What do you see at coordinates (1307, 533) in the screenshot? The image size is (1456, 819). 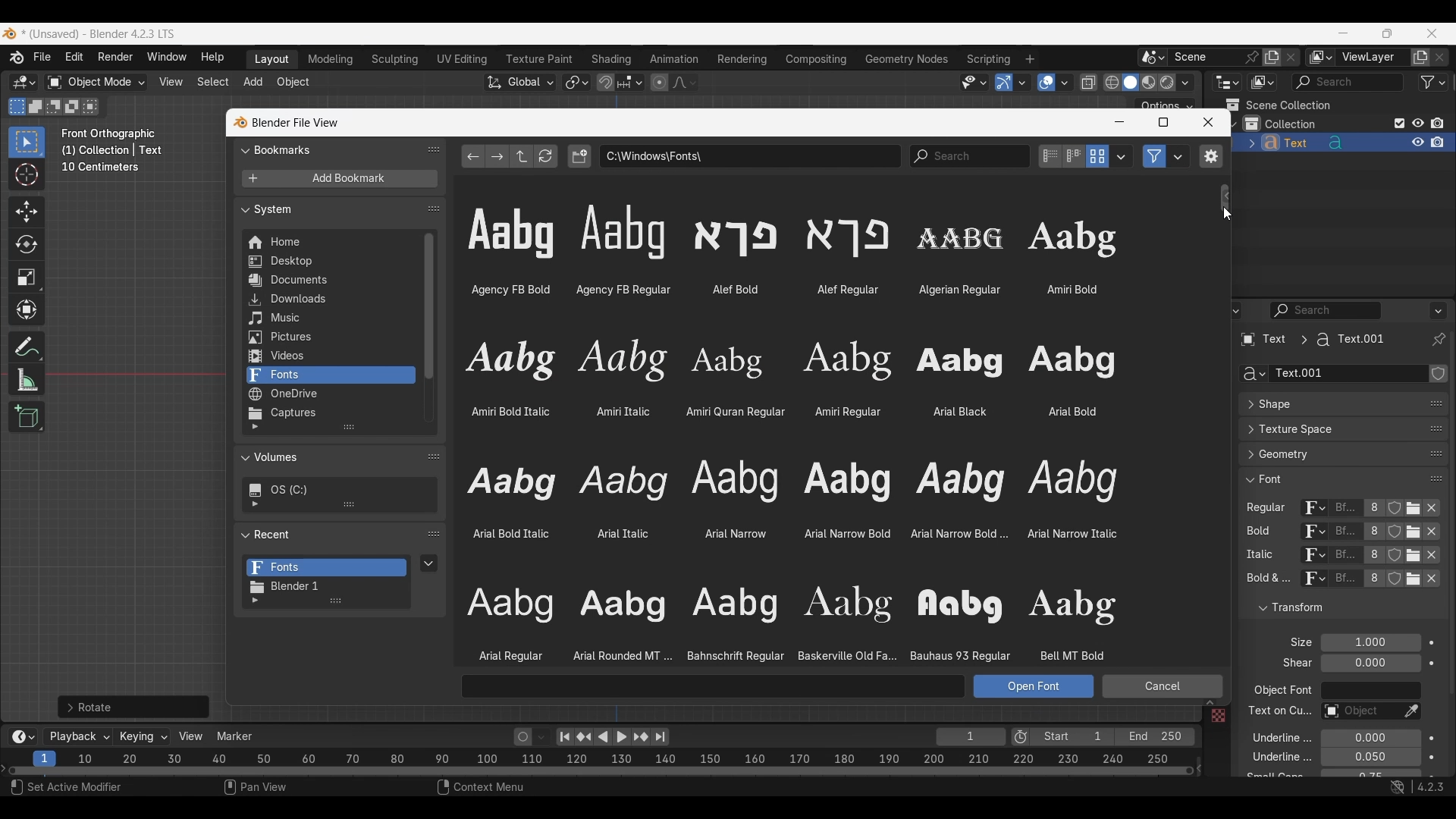 I see `Browse ID data` at bounding box center [1307, 533].